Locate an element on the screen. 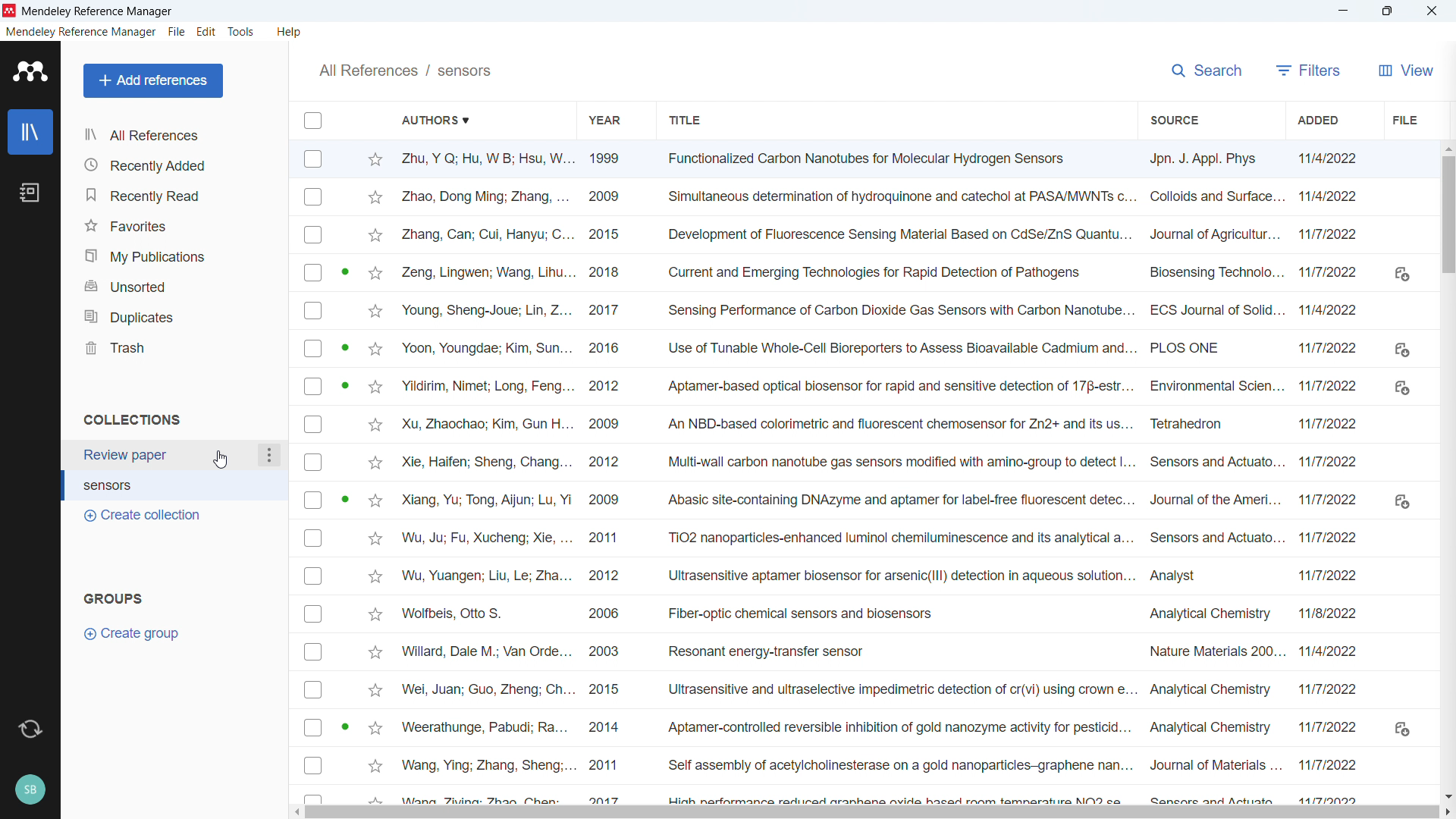 The image size is (1456, 819). Profile  is located at coordinates (30, 791).